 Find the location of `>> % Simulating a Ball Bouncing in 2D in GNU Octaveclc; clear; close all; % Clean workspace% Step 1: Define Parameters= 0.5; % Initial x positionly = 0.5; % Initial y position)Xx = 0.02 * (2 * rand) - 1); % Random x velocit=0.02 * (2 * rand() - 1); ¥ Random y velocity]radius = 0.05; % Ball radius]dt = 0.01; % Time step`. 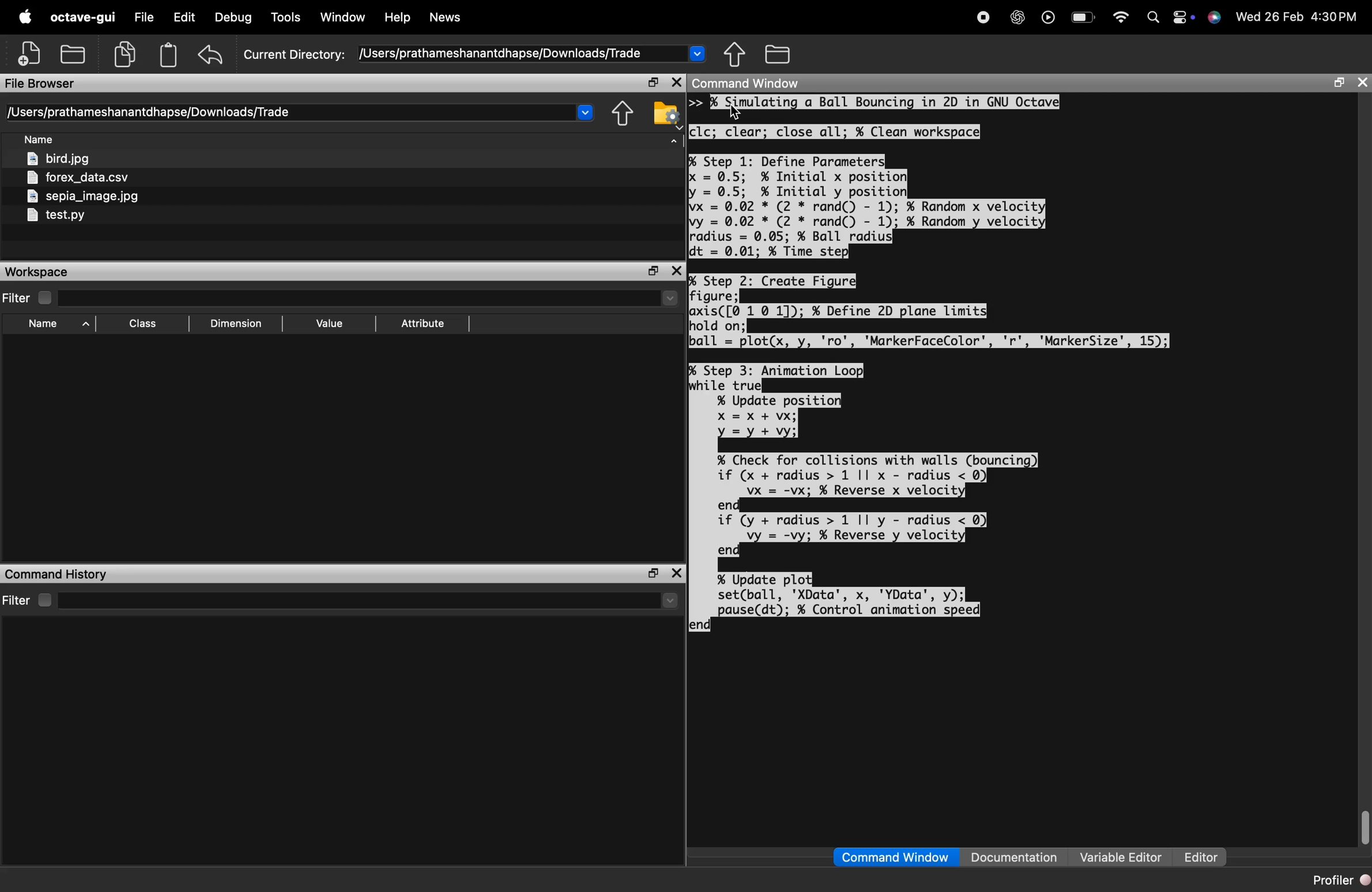

>> % Simulating a Ball Bouncing in 2D in GNU Octaveclc; clear; close all; % Clean workspace% Step 1: Define Parameters= 0.5; % Initial x positionly = 0.5; % Initial y position)Xx = 0.02 * (2 * rand) - 1); % Random x velocit=0.02 * (2 * rand() - 1); ¥ Random y velocity]radius = 0.05; % Ball radius]dt = 0.01; % Time step is located at coordinates (875, 177).